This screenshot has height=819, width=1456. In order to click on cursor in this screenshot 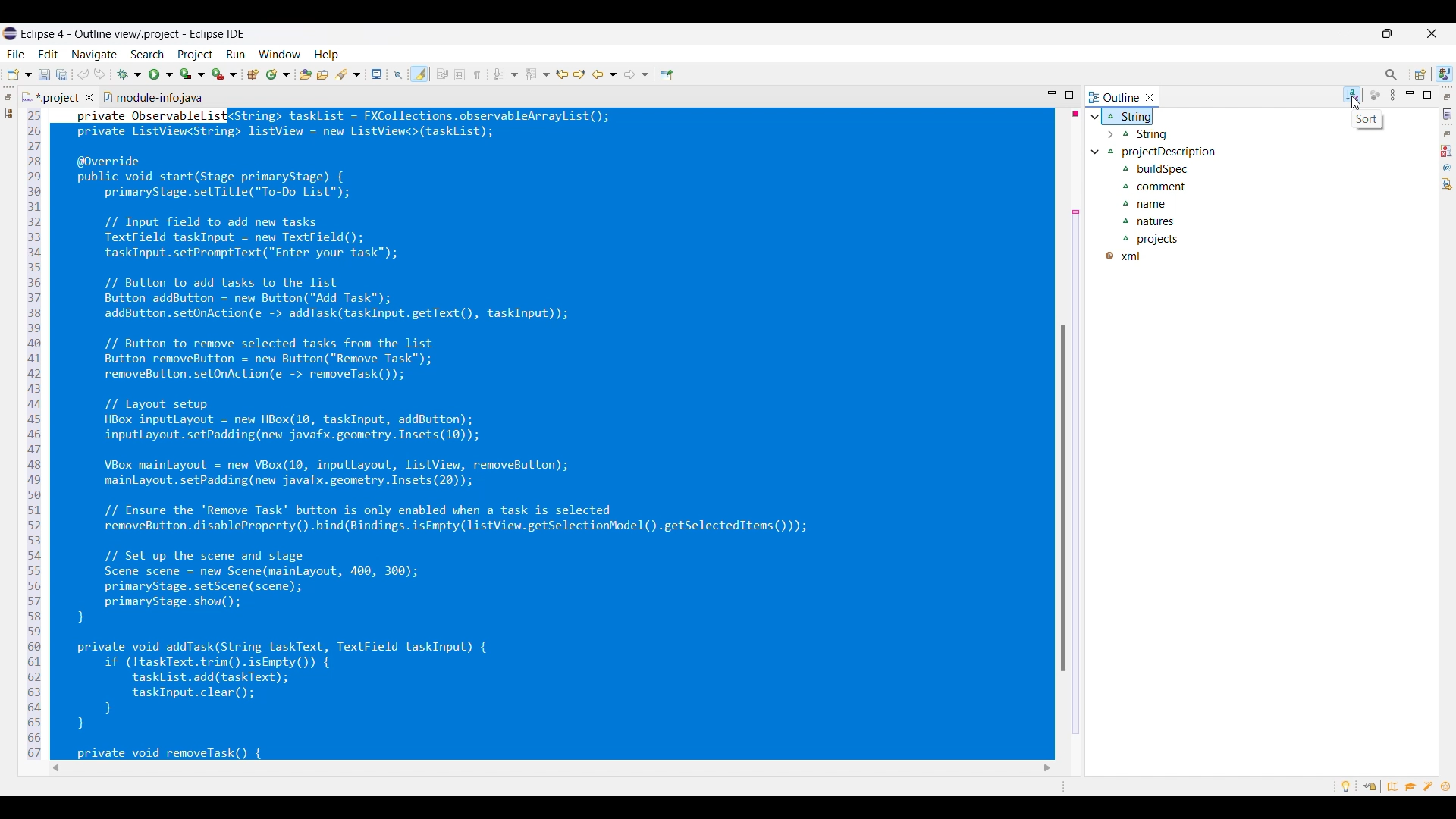, I will do `click(1353, 105)`.